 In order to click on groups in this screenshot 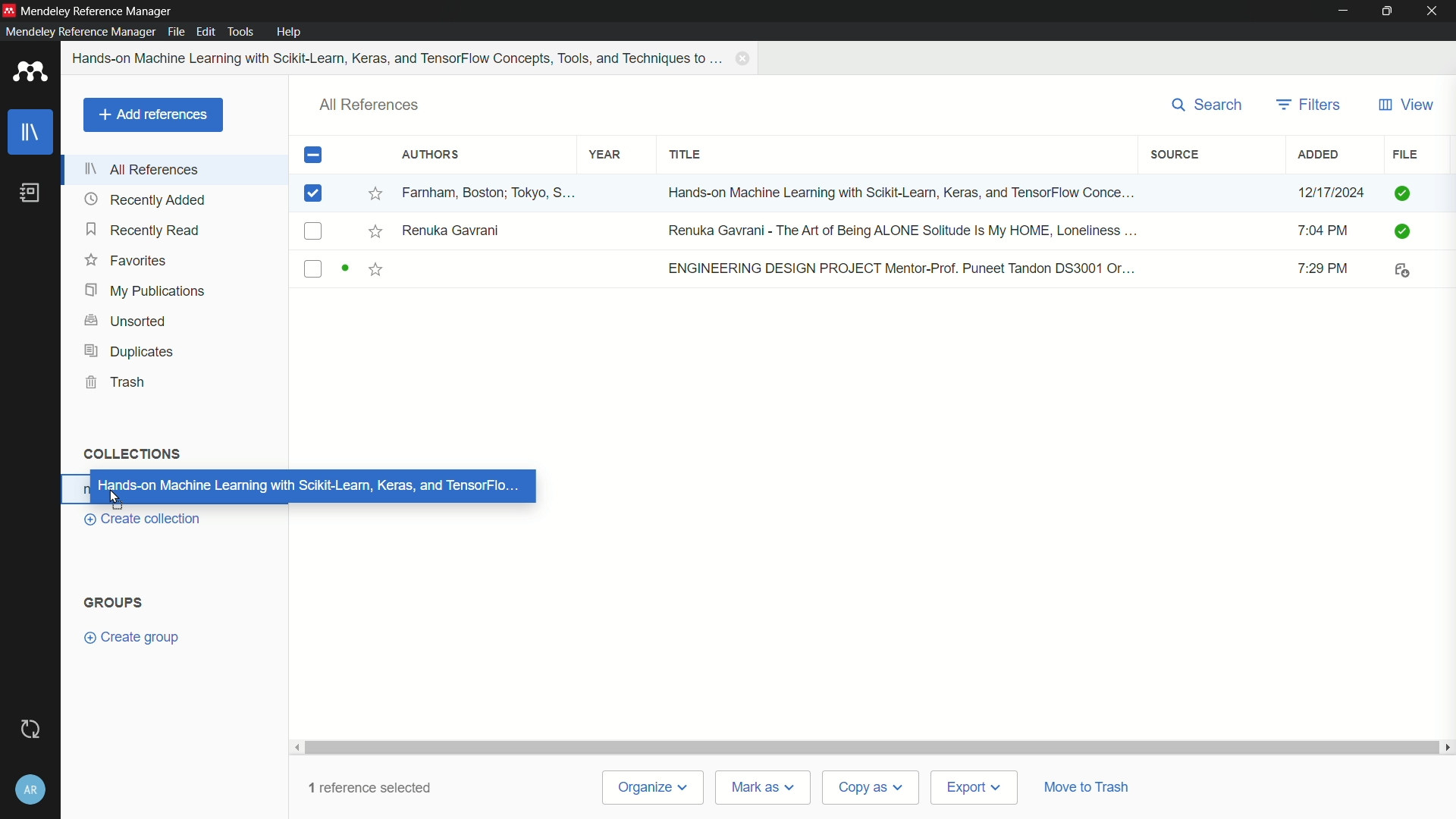, I will do `click(113, 603)`.